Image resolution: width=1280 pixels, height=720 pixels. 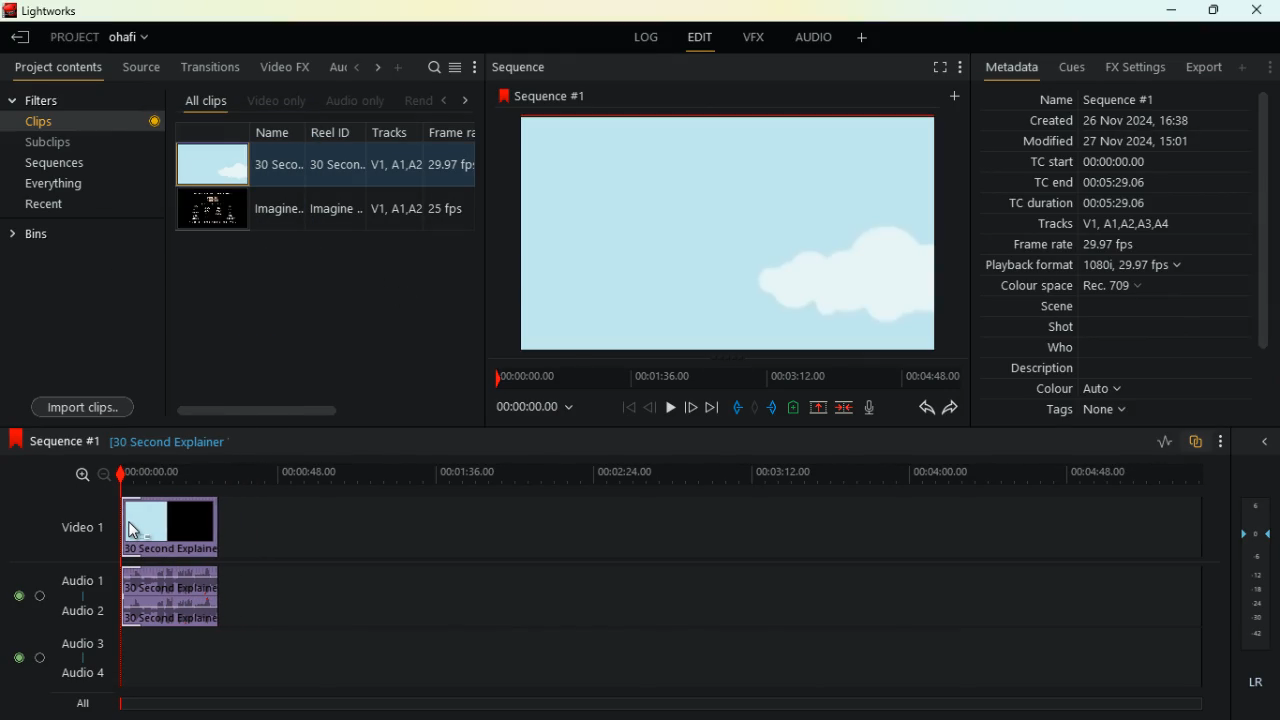 I want to click on battery, so click(x=792, y=408).